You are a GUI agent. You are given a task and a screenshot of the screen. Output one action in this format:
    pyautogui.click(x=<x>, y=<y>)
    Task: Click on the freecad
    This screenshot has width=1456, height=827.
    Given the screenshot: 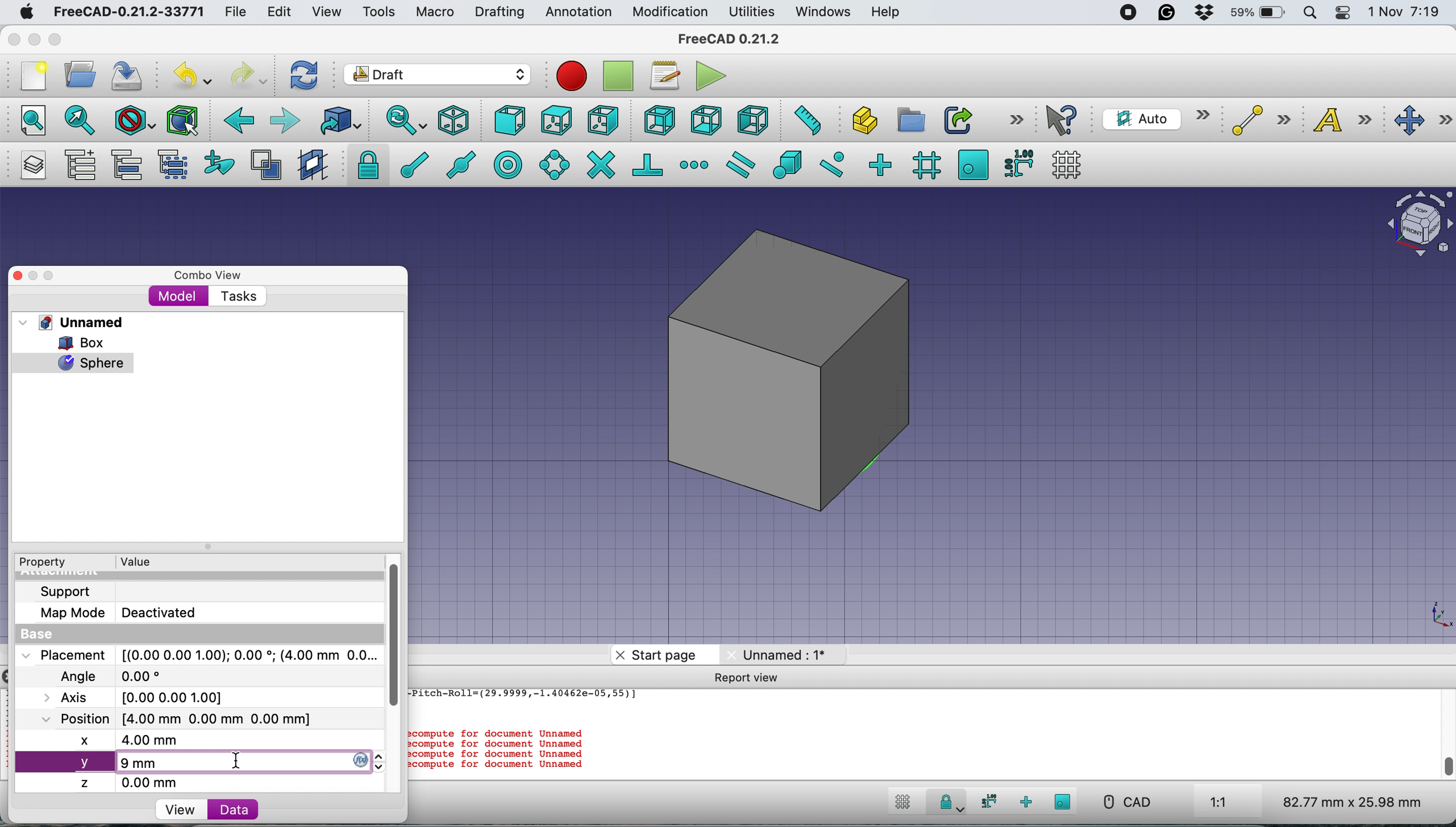 What is the action you would take?
    pyautogui.click(x=128, y=12)
    